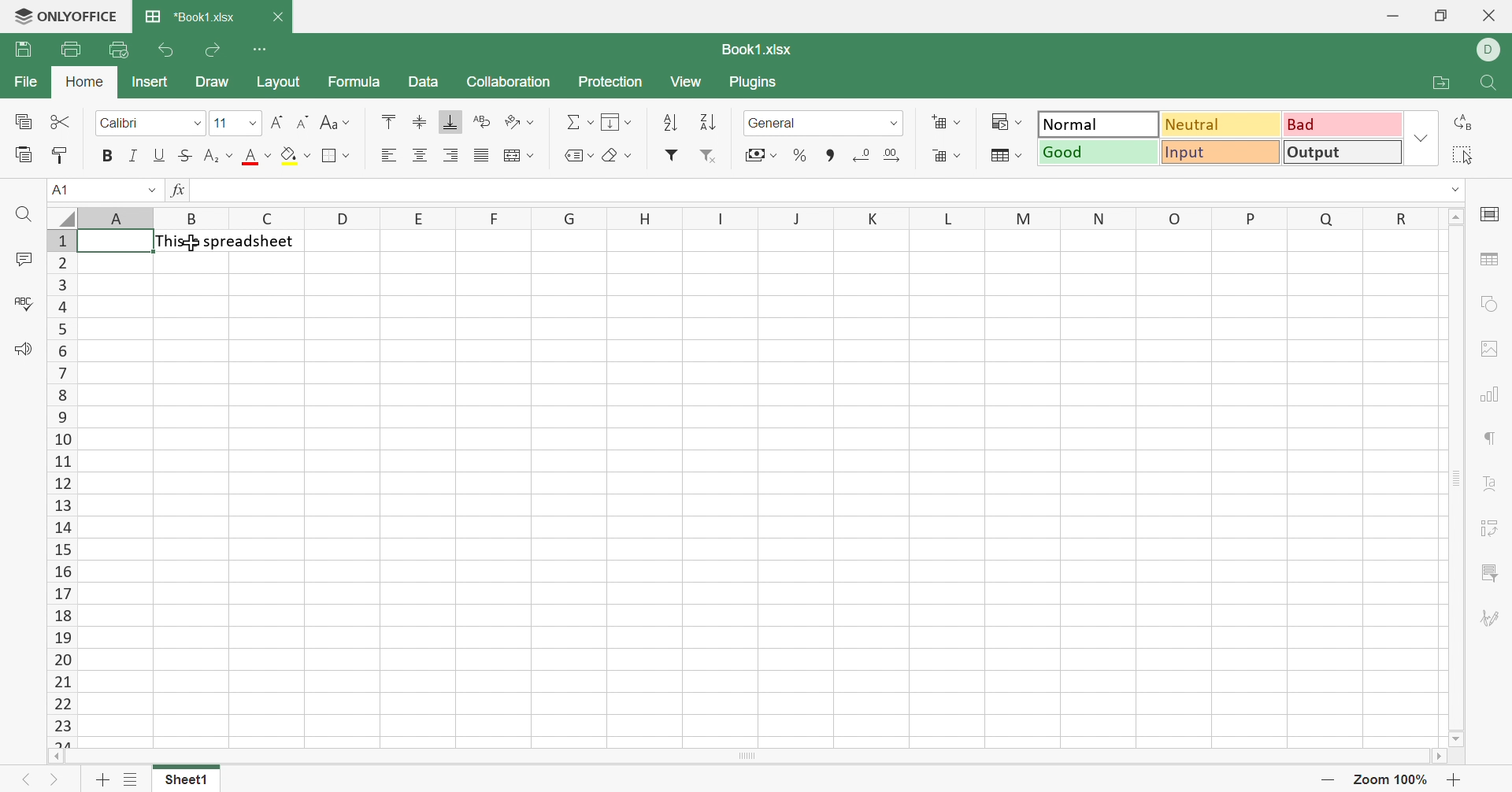  I want to click on shape settings, so click(1491, 304).